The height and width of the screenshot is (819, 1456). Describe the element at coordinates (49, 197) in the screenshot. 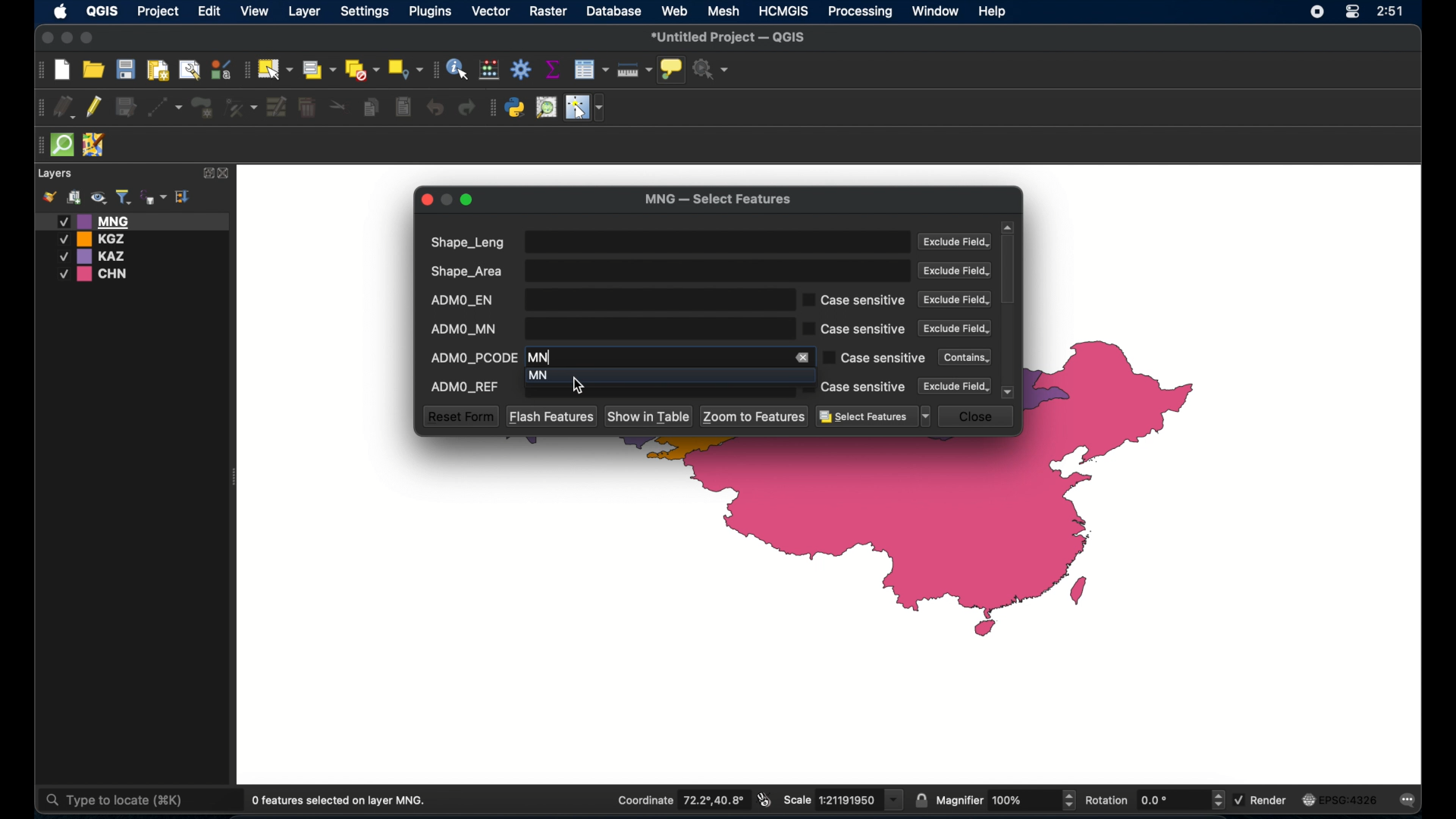

I see `open layer styling panel` at that location.